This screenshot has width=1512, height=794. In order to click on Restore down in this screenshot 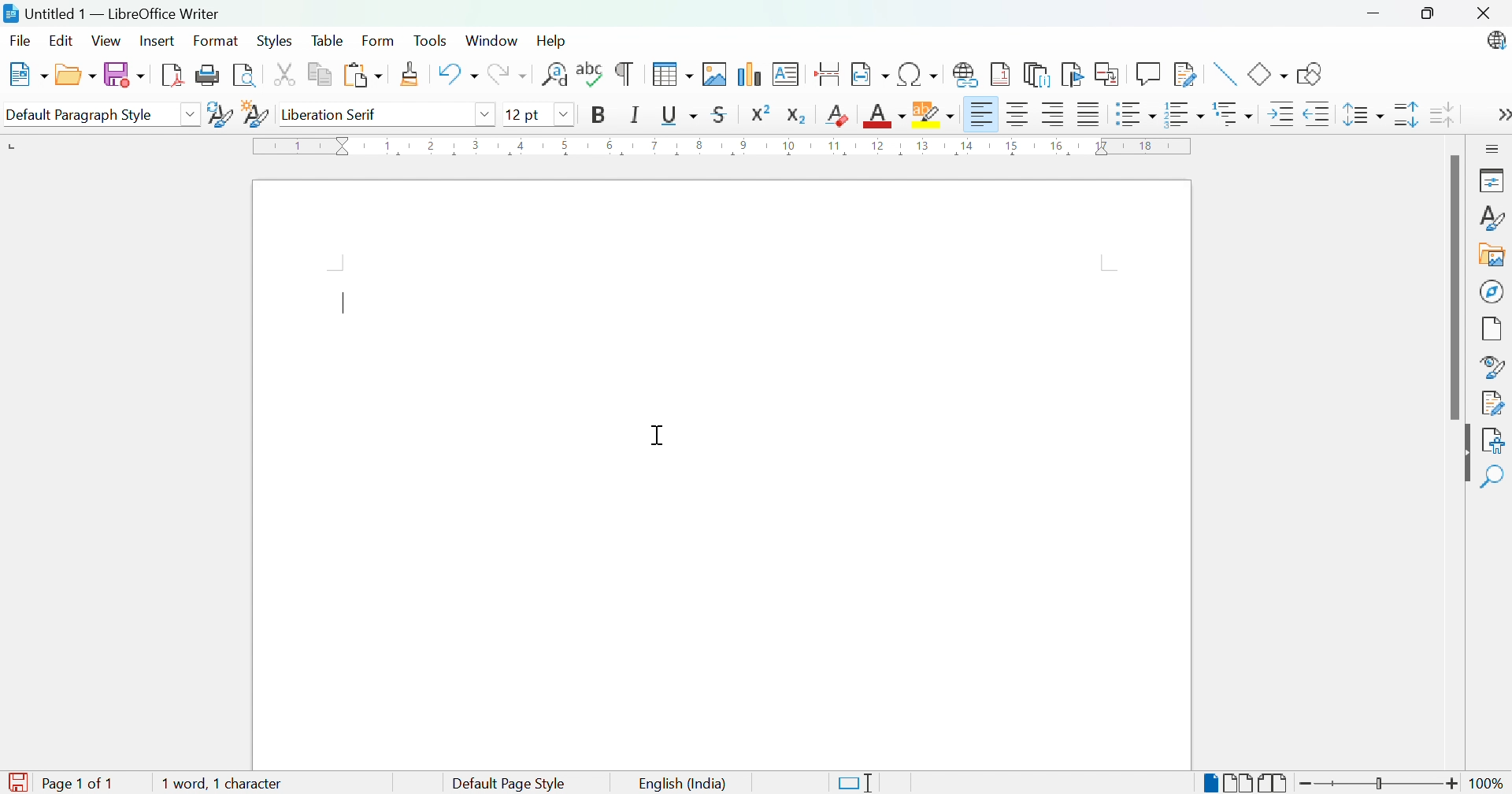, I will do `click(1432, 17)`.